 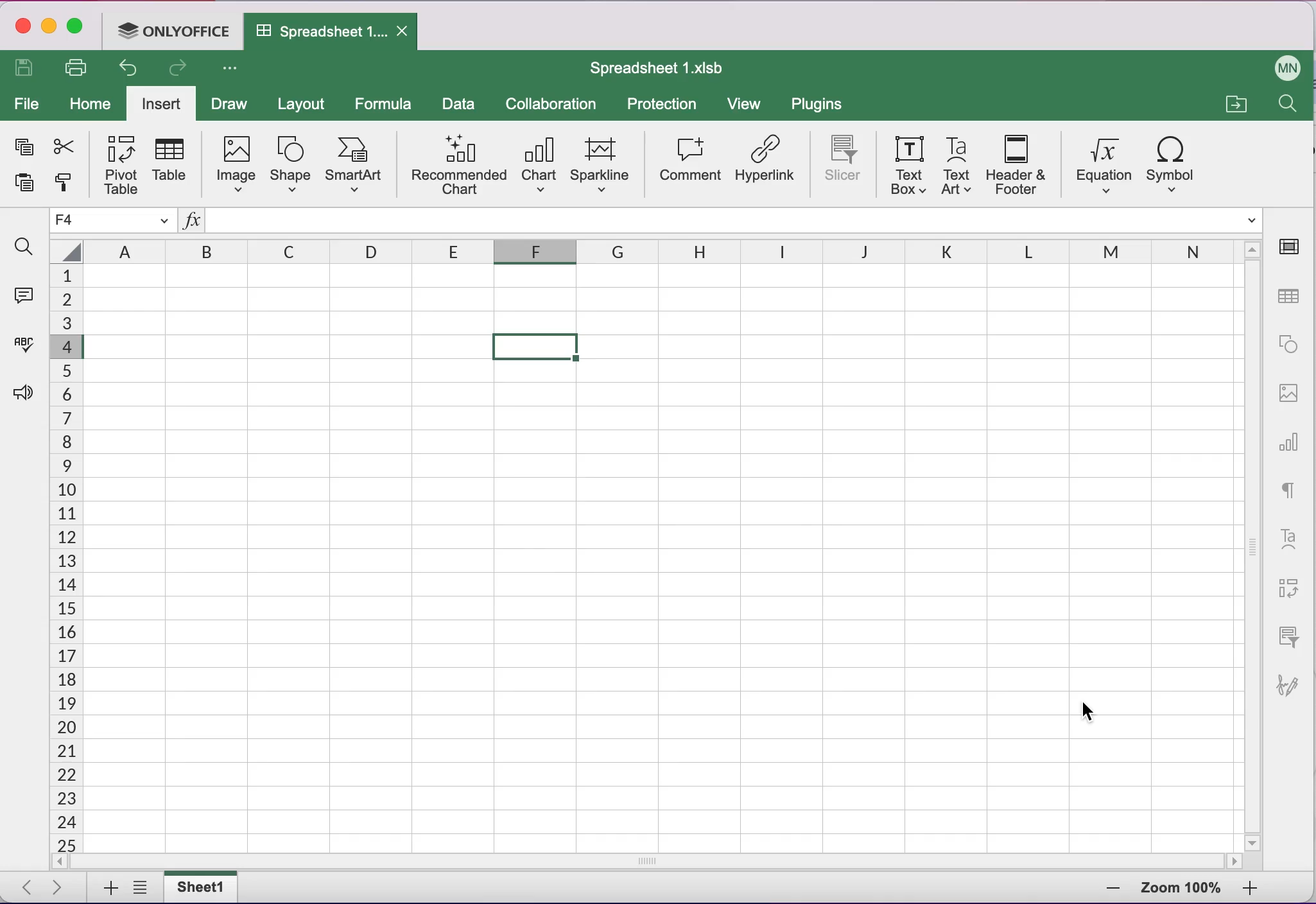 What do you see at coordinates (138, 887) in the screenshot?
I see `list of sheets` at bounding box center [138, 887].